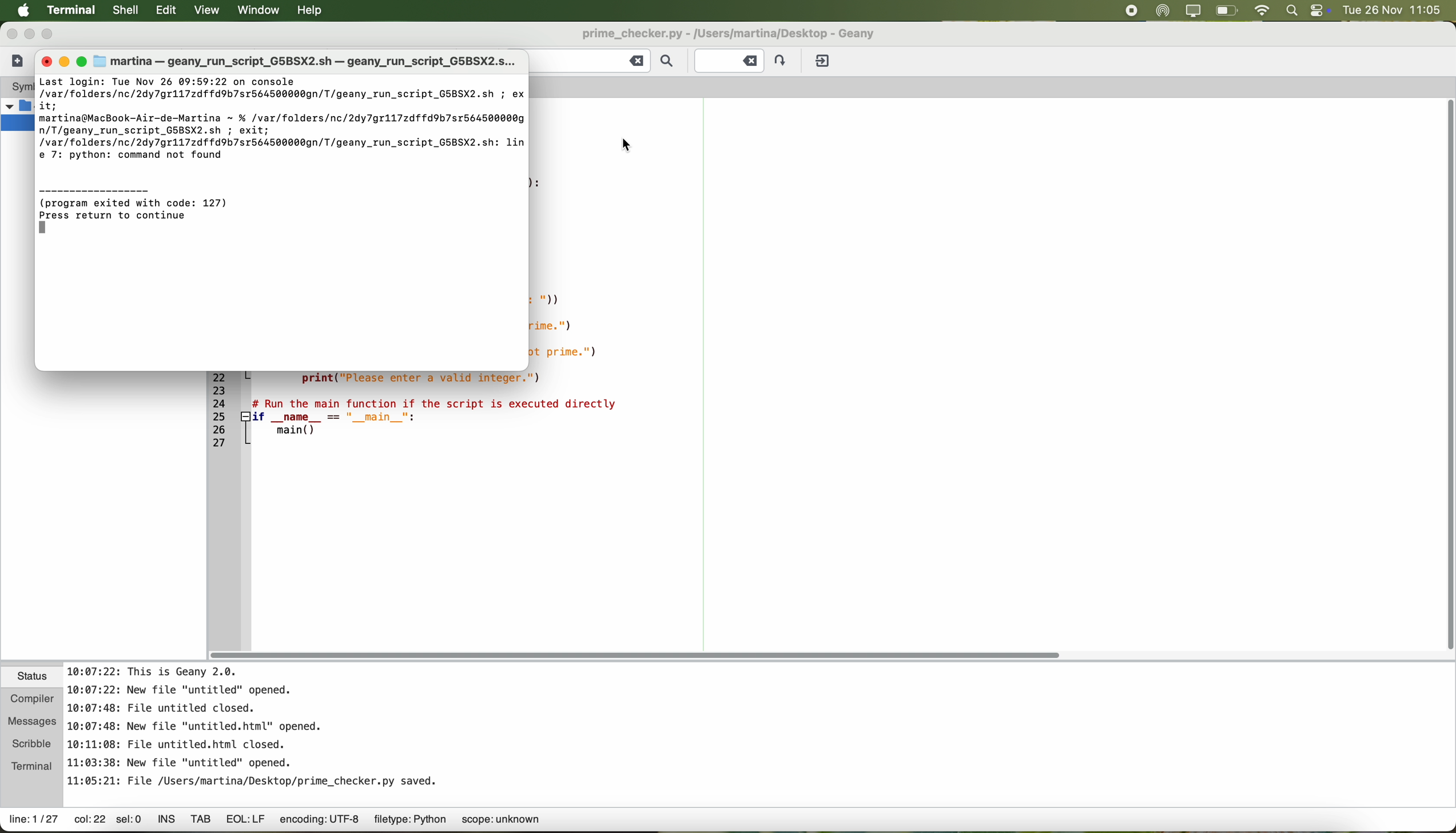 This screenshot has width=1456, height=833. I want to click on system, so click(17, 86).